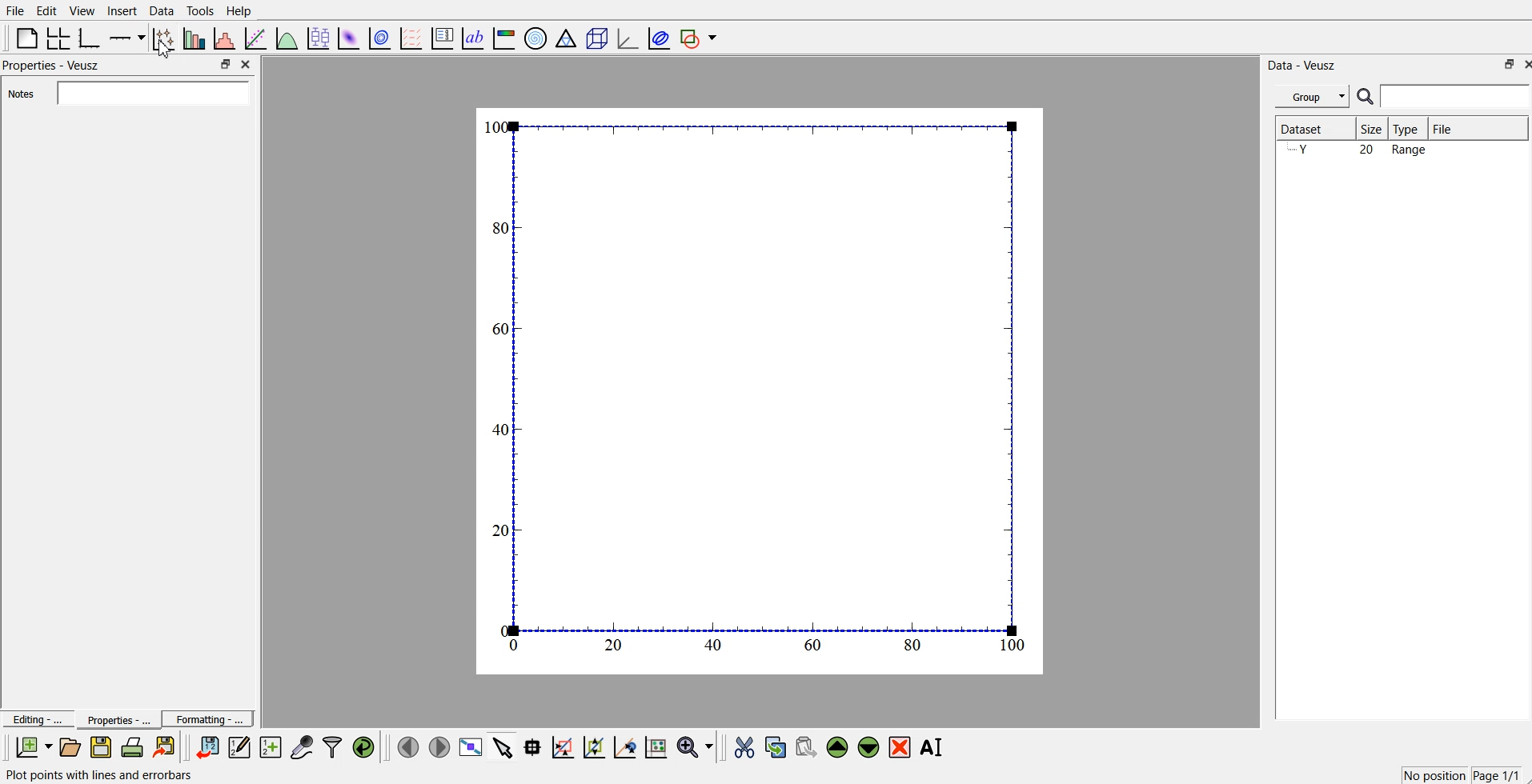 This screenshot has height=784, width=1532. I want to click on View, so click(82, 10).